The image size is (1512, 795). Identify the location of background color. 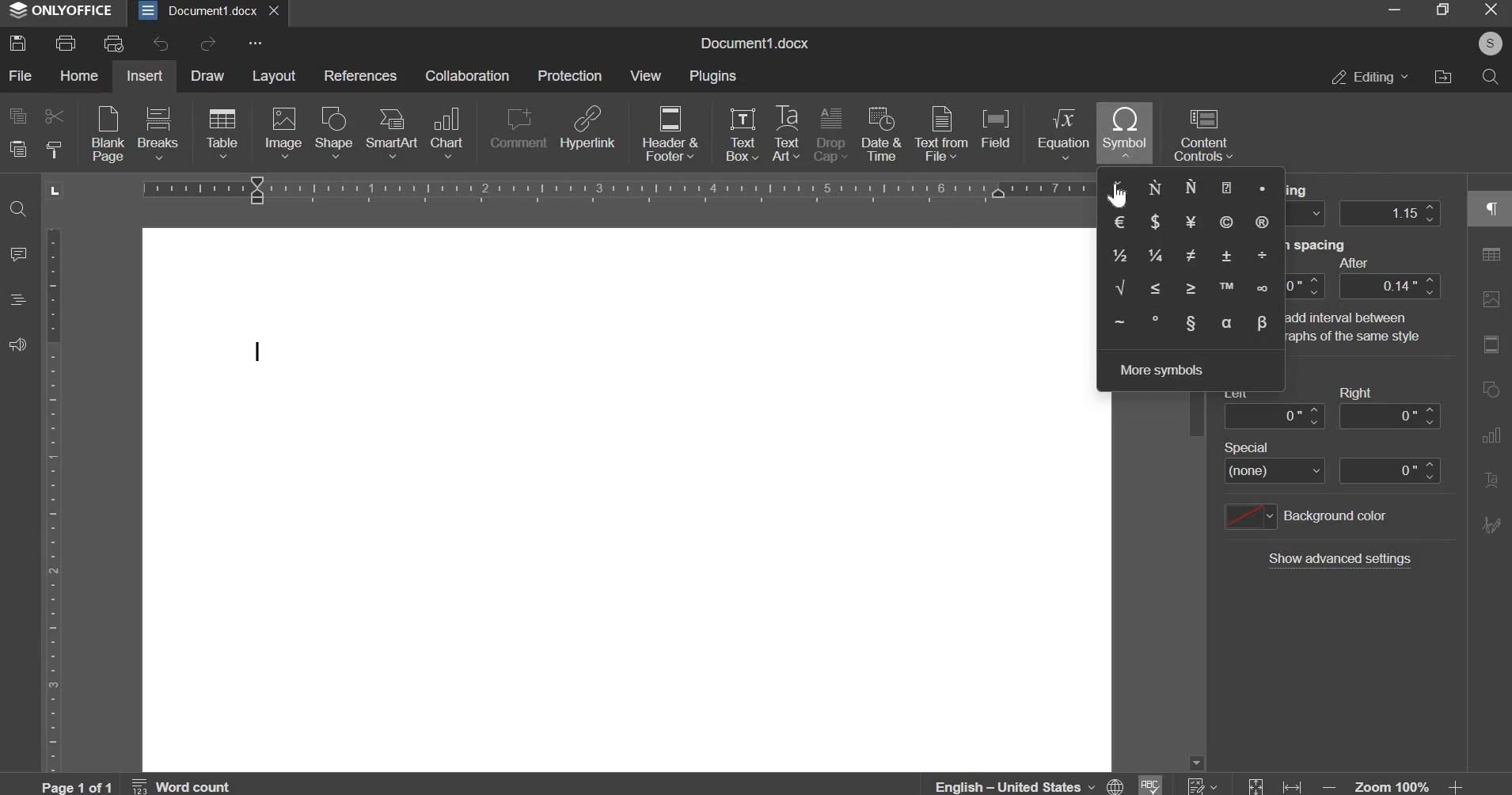
(1305, 516).